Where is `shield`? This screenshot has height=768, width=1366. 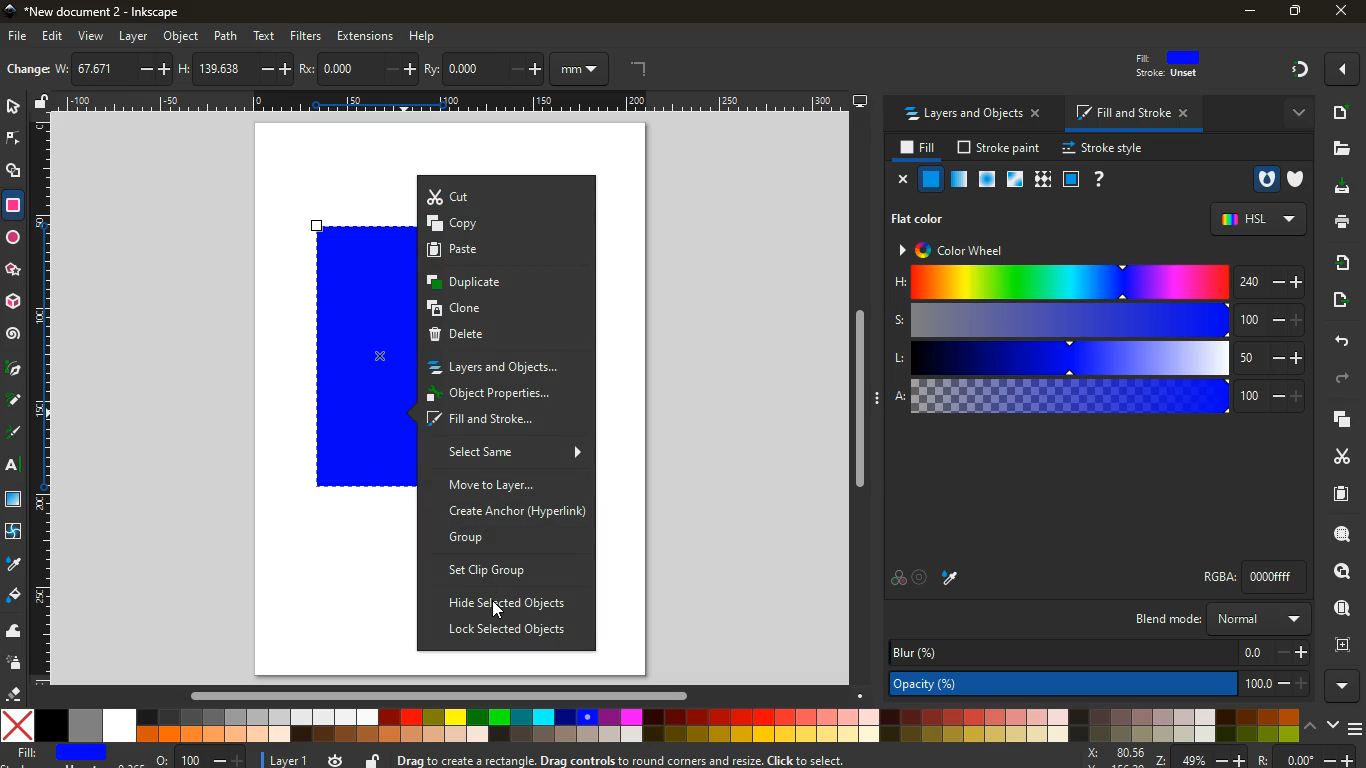 shield is located at coordinates (1293, 179).